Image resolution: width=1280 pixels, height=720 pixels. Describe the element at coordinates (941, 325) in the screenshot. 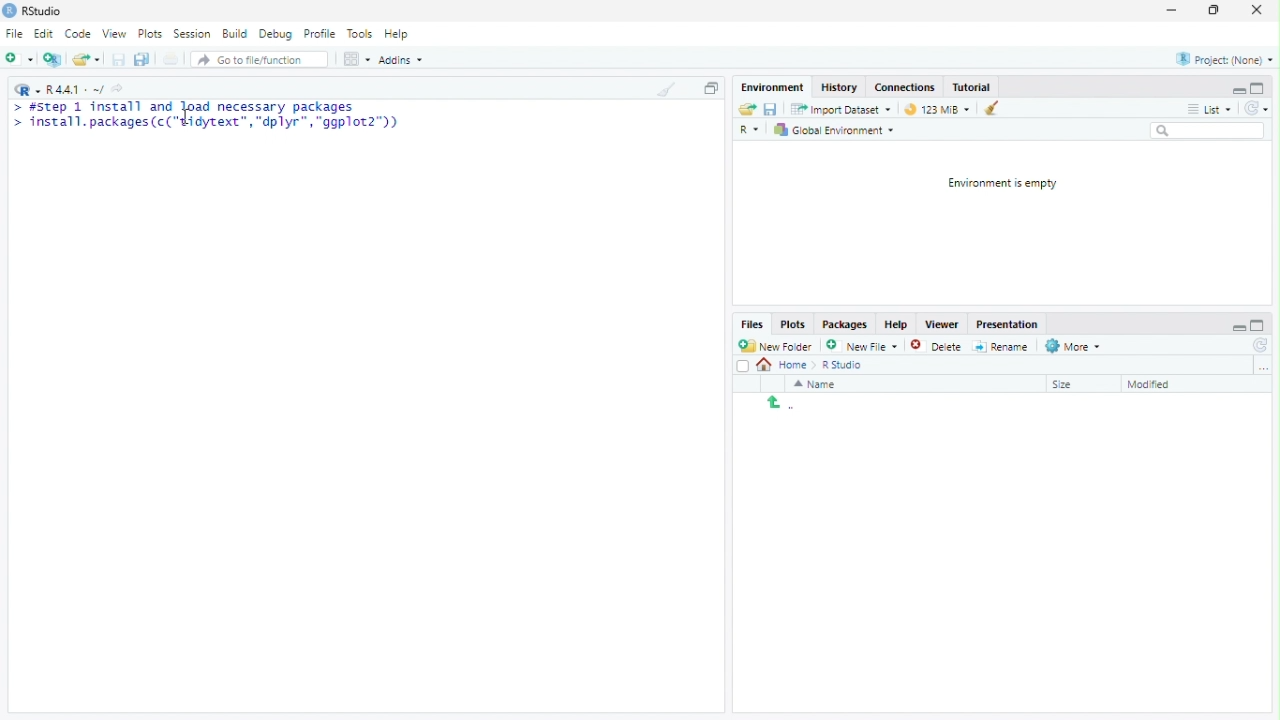

I see `Viewer` at that location.